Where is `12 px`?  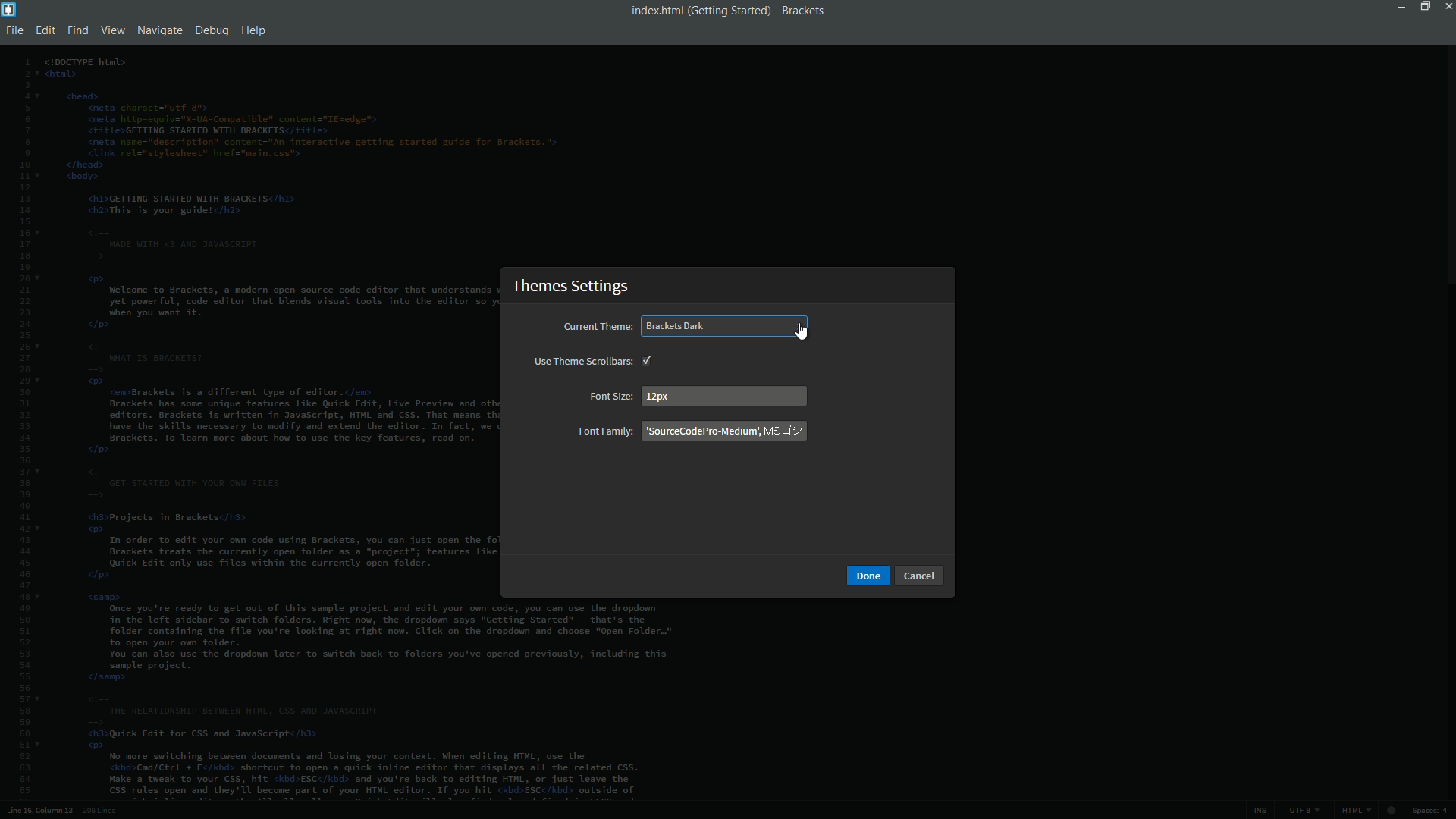
12 px is located at coordinates (657, 396).